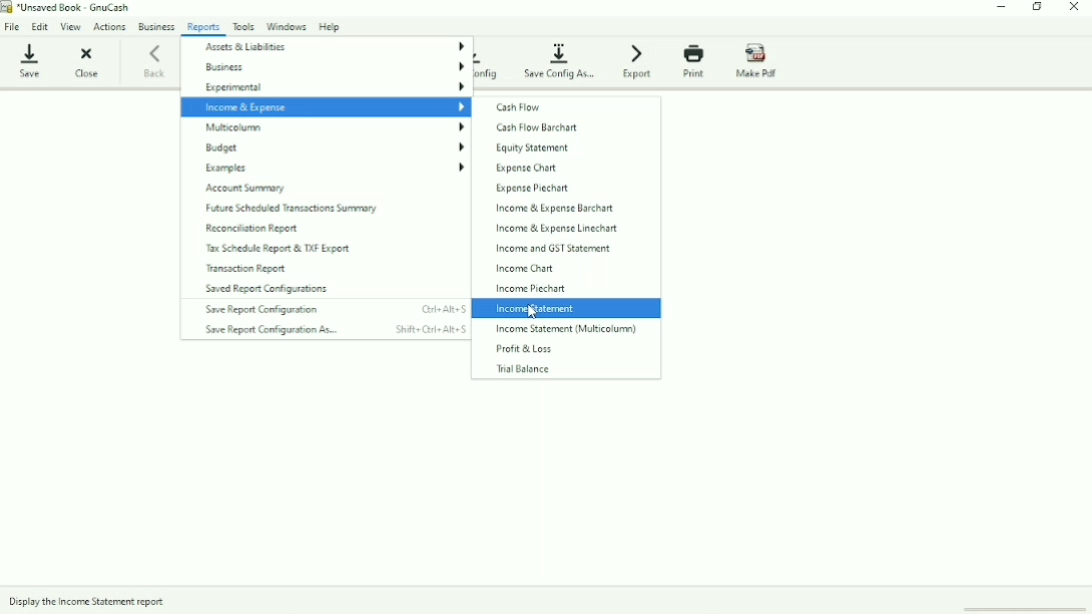 Image resolution: width=1092 pixels, height=614 pixels. Describe the element at coordinates (250, 189) in the screenshot. I see `Account Summary` at that location.